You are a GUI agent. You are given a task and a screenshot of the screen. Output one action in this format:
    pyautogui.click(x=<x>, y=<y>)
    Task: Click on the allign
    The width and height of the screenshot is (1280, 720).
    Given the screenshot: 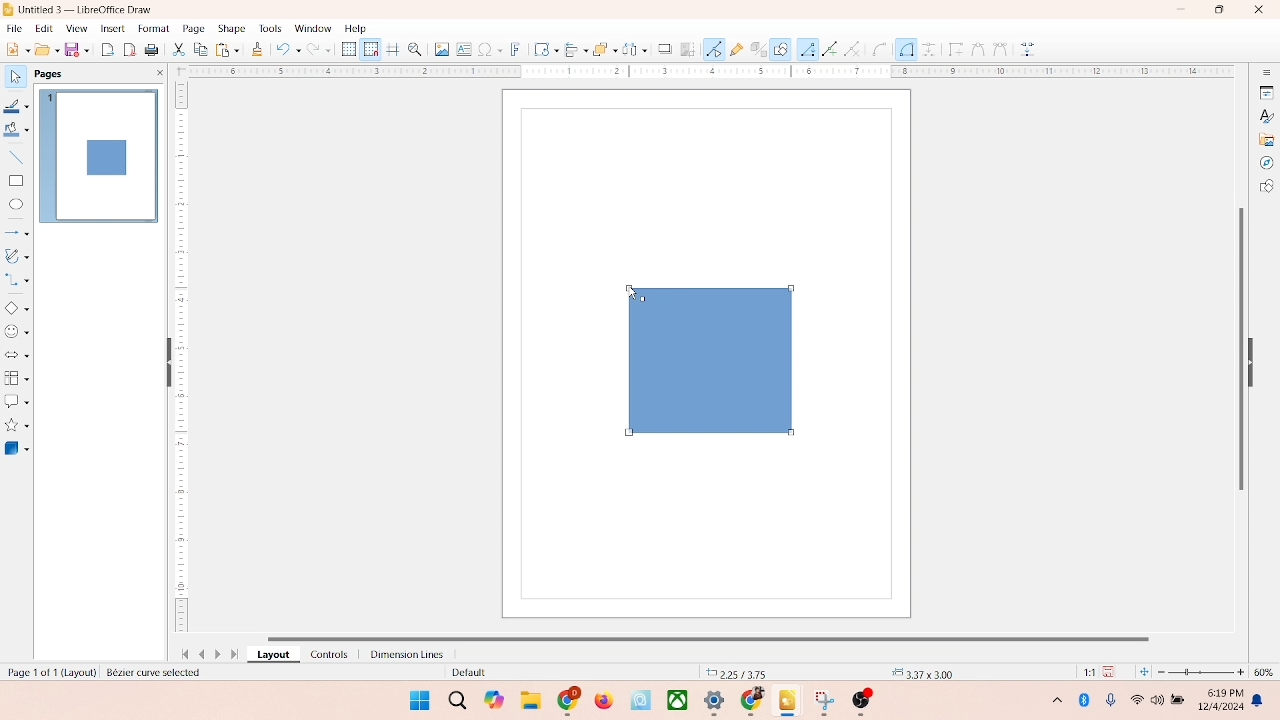 What is the action you would take?
    pyautogui.click(x=572, y=47)
    